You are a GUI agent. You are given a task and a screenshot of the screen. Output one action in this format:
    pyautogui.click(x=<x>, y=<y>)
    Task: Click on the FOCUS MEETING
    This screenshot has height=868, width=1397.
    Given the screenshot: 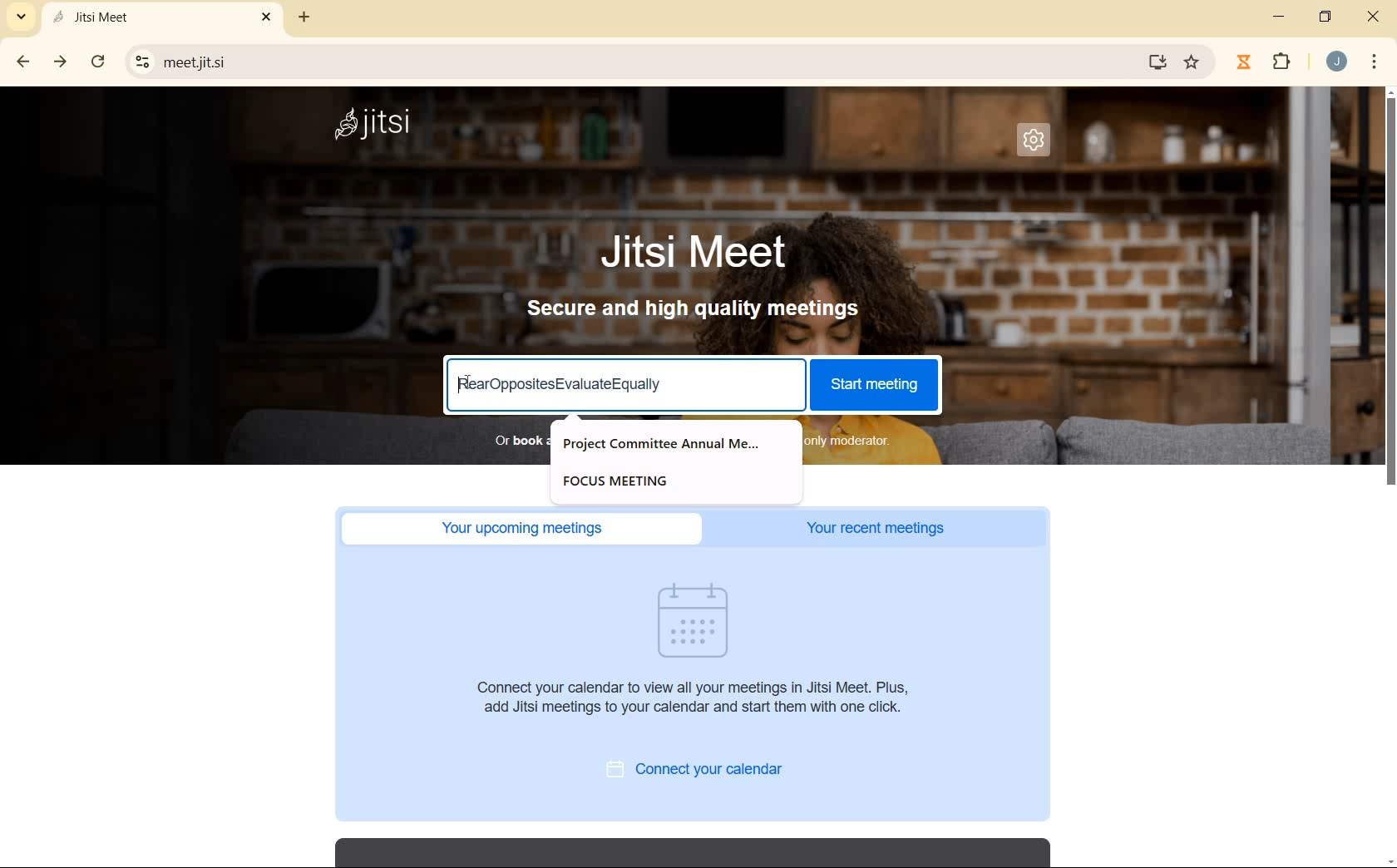 What is the action you would take?
    pyautogui.click(x=647, y=481)
    